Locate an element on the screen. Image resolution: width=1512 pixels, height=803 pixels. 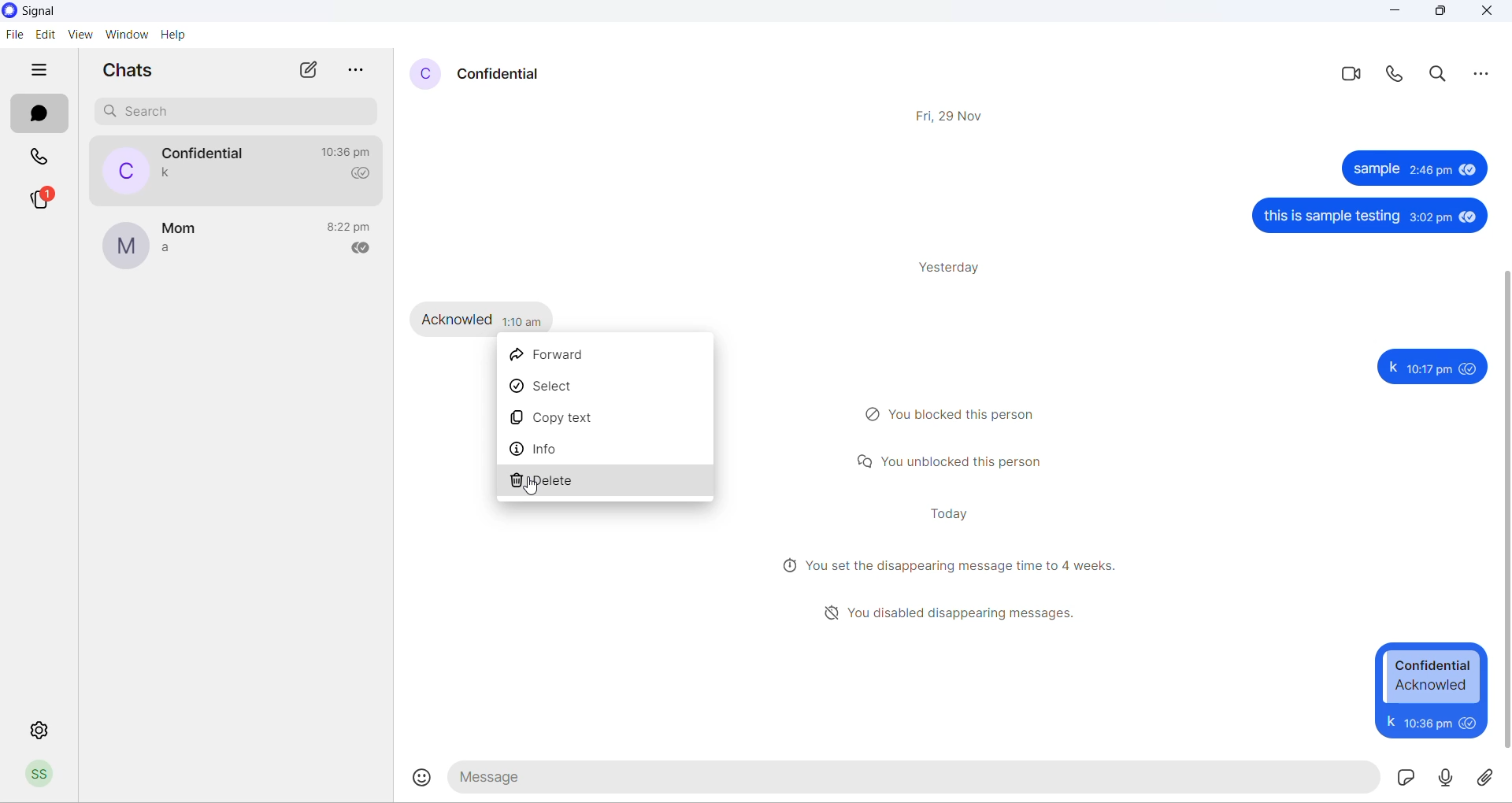
3:02 pm is located at coordinates (1430, 219).